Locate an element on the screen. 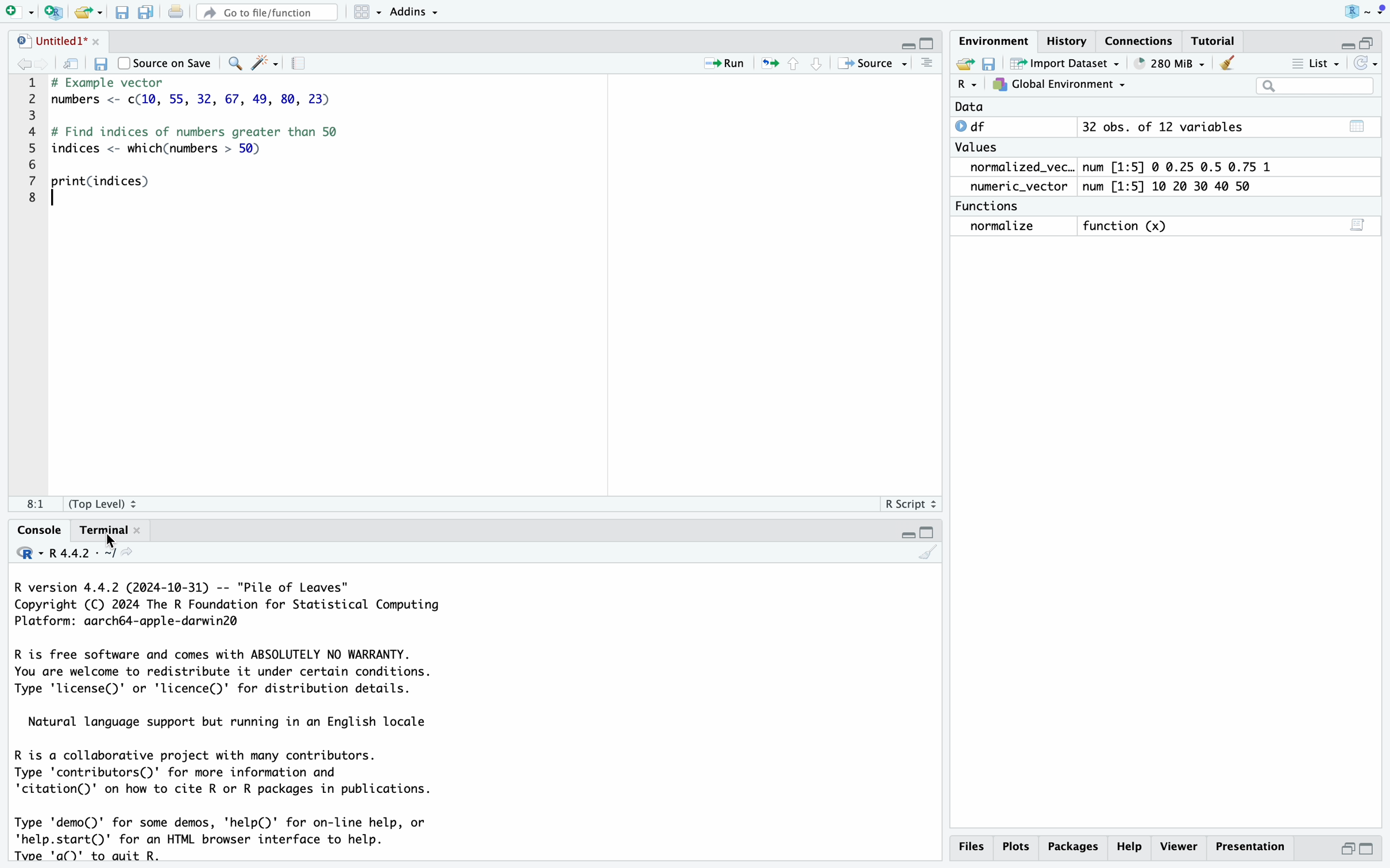 The height and width of the screenshot is (868, 1390). (Top Level) 2 is located at coordinates (105, 503).